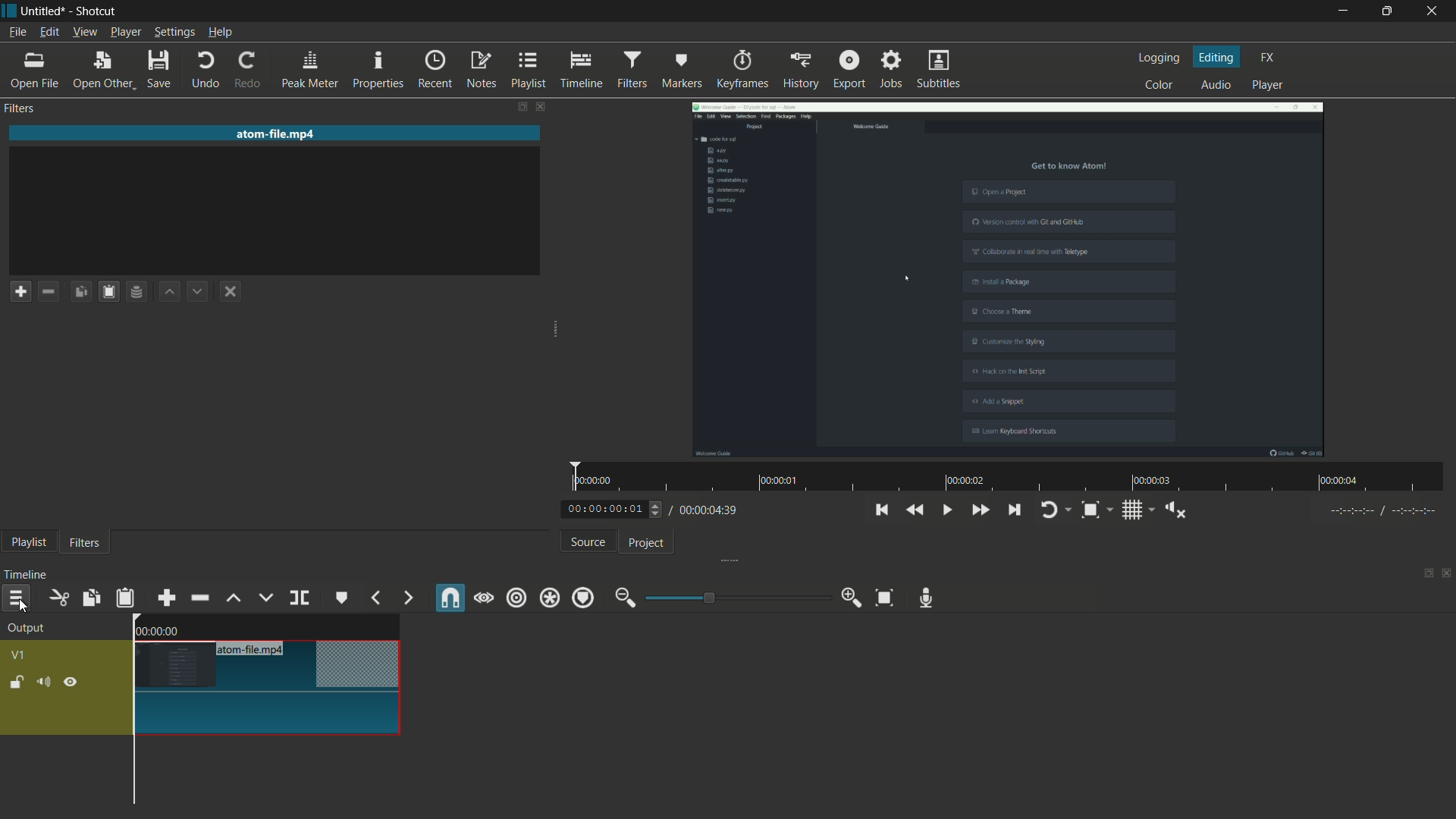 The image size is (1456, 819). Describe the element at coordinates (29, 608) in the screenshot. I see `cursor` at that location.